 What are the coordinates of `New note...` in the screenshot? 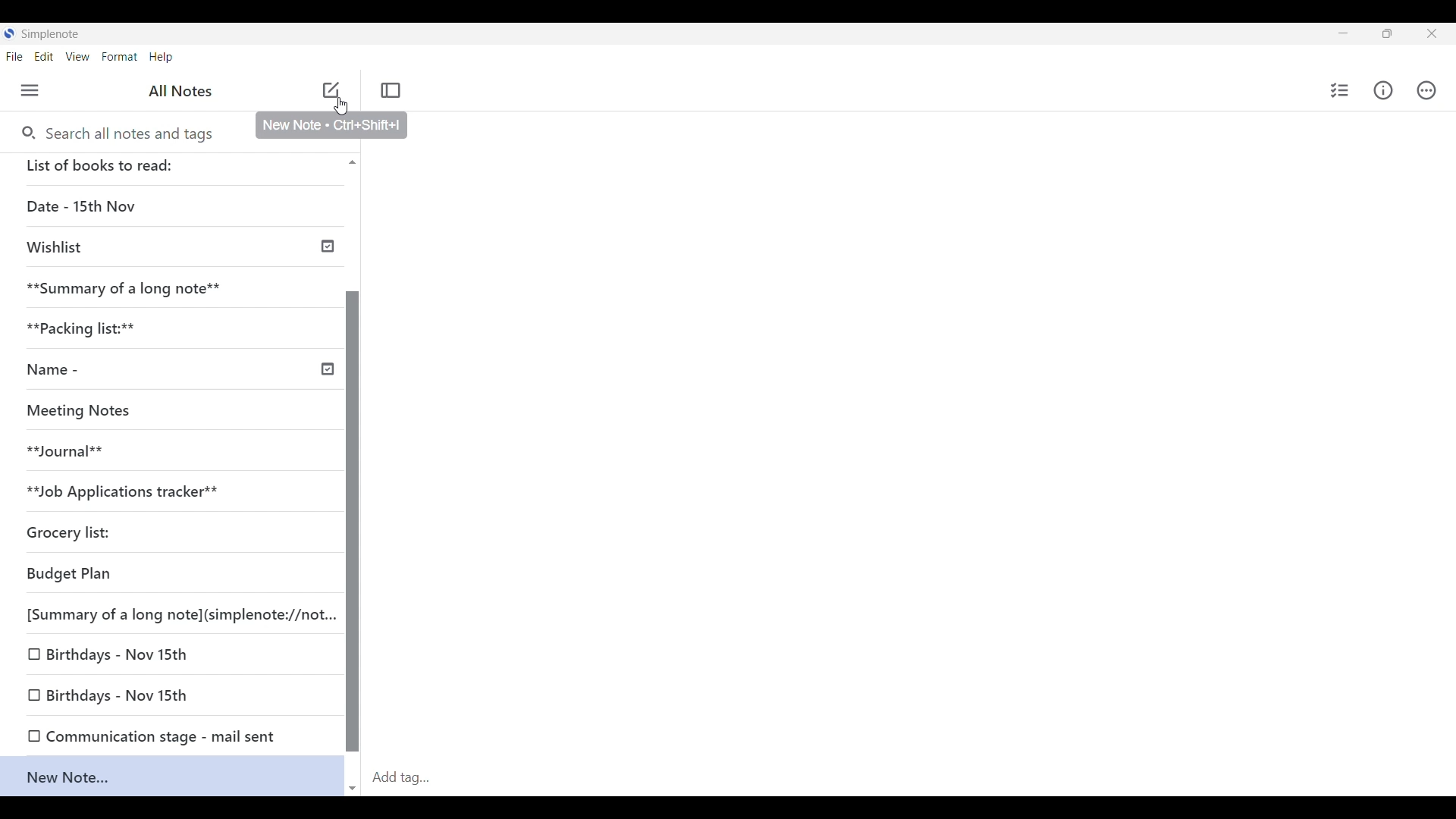 It's located at (180, 777).